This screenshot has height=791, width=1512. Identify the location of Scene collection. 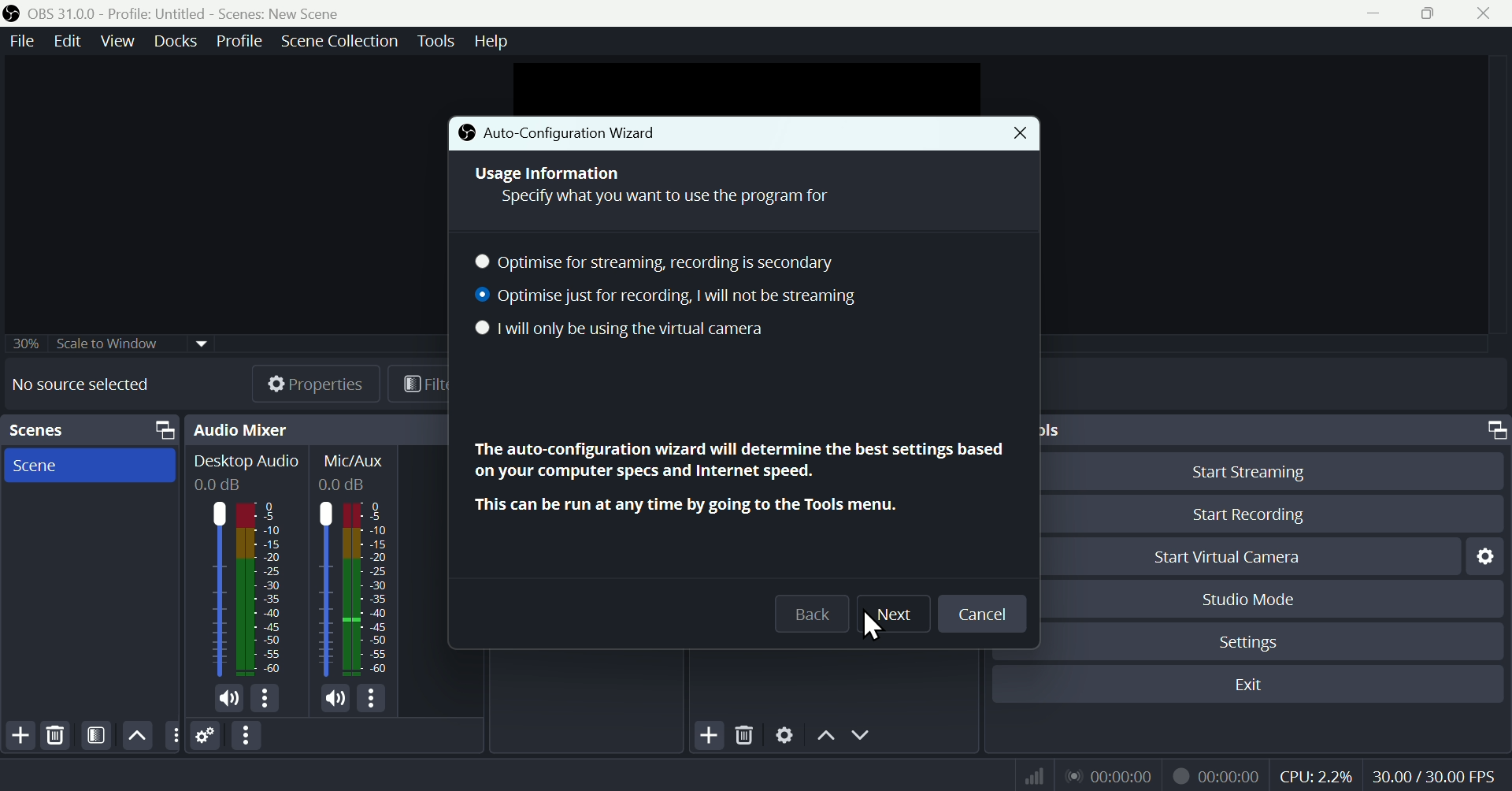
(343, 43).